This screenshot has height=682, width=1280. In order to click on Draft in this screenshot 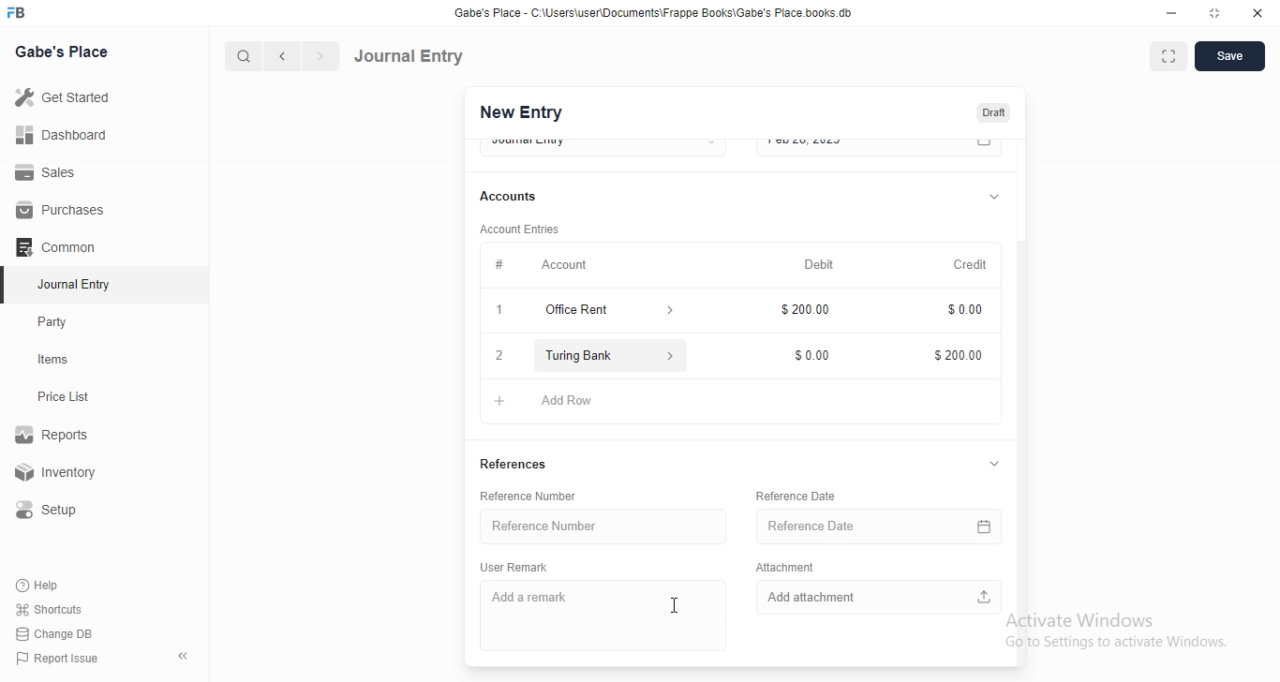, I will do `click(993, 113)`.